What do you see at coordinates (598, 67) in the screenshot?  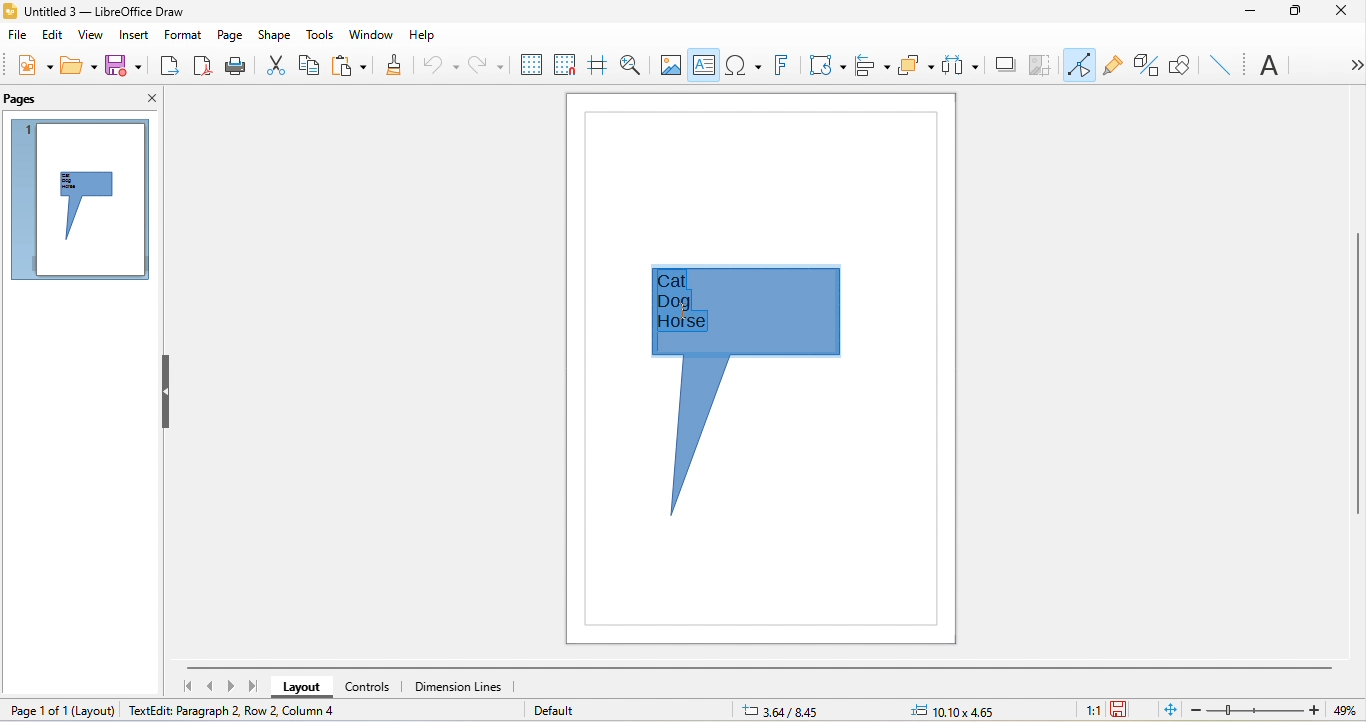 I see `helpline while moving` at bounding box center [598, 67].